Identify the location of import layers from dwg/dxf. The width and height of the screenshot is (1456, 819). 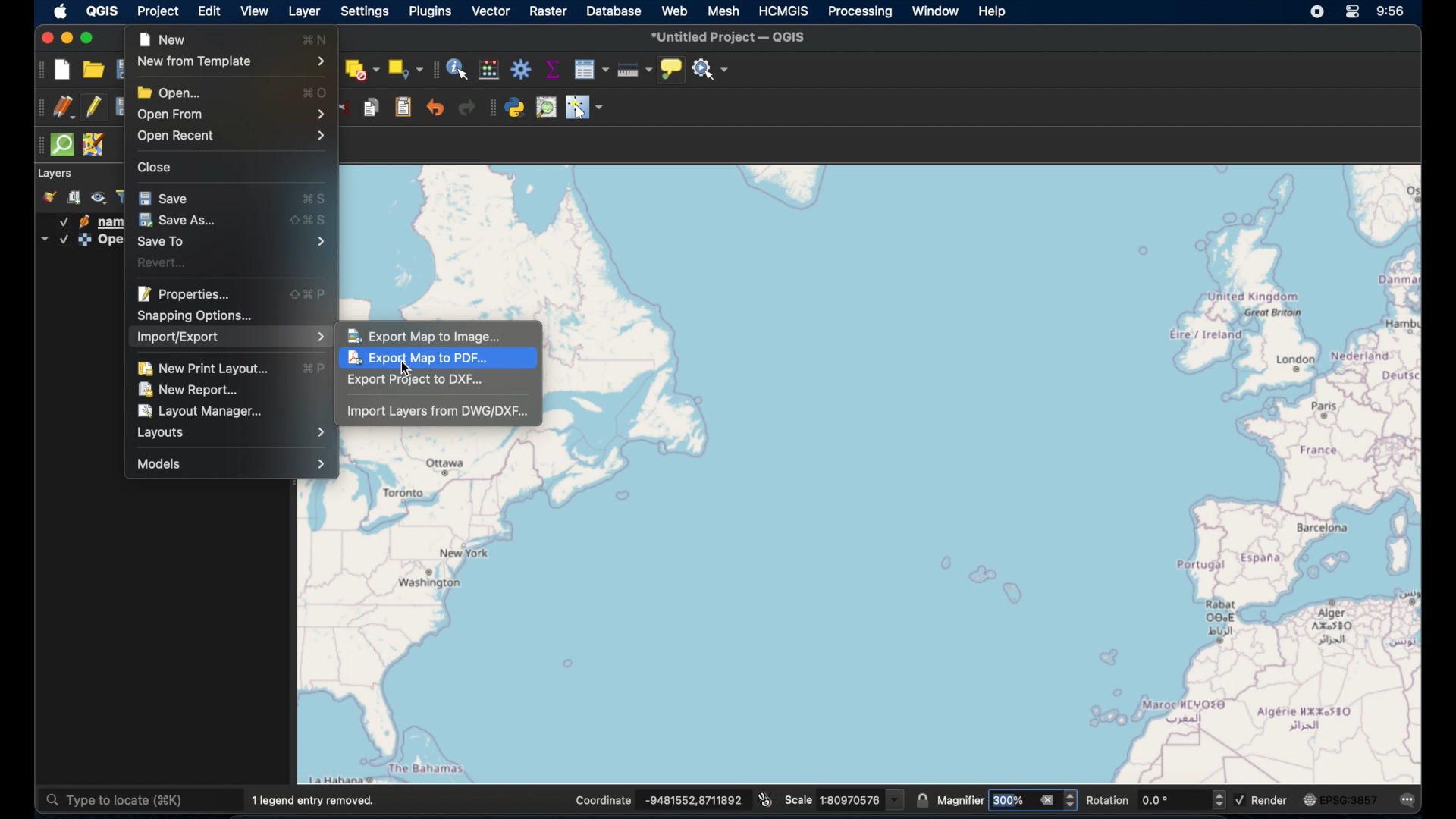
(438, 413).